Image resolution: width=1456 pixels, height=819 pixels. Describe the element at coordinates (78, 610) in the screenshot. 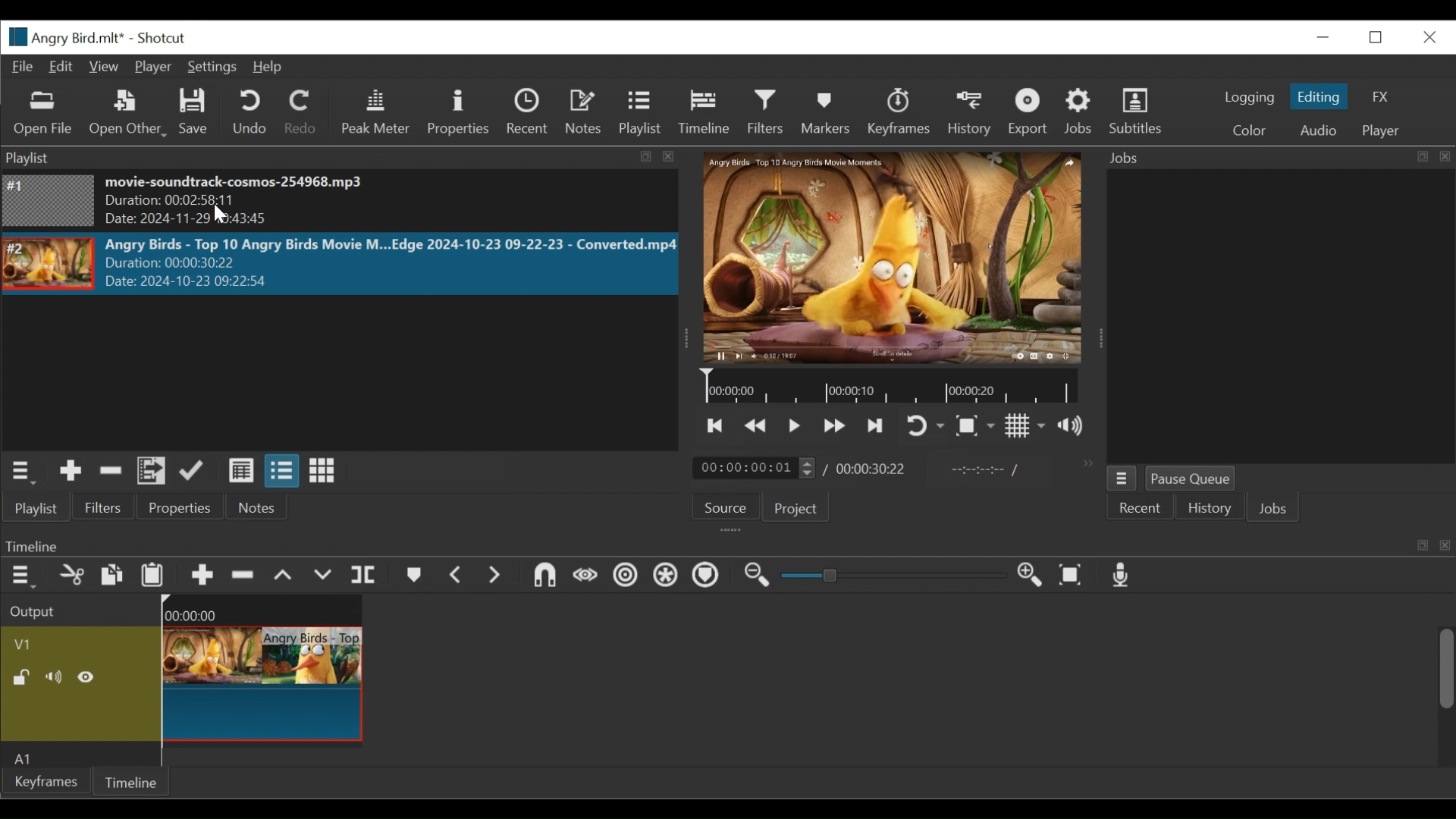

I see `Output` at that location.